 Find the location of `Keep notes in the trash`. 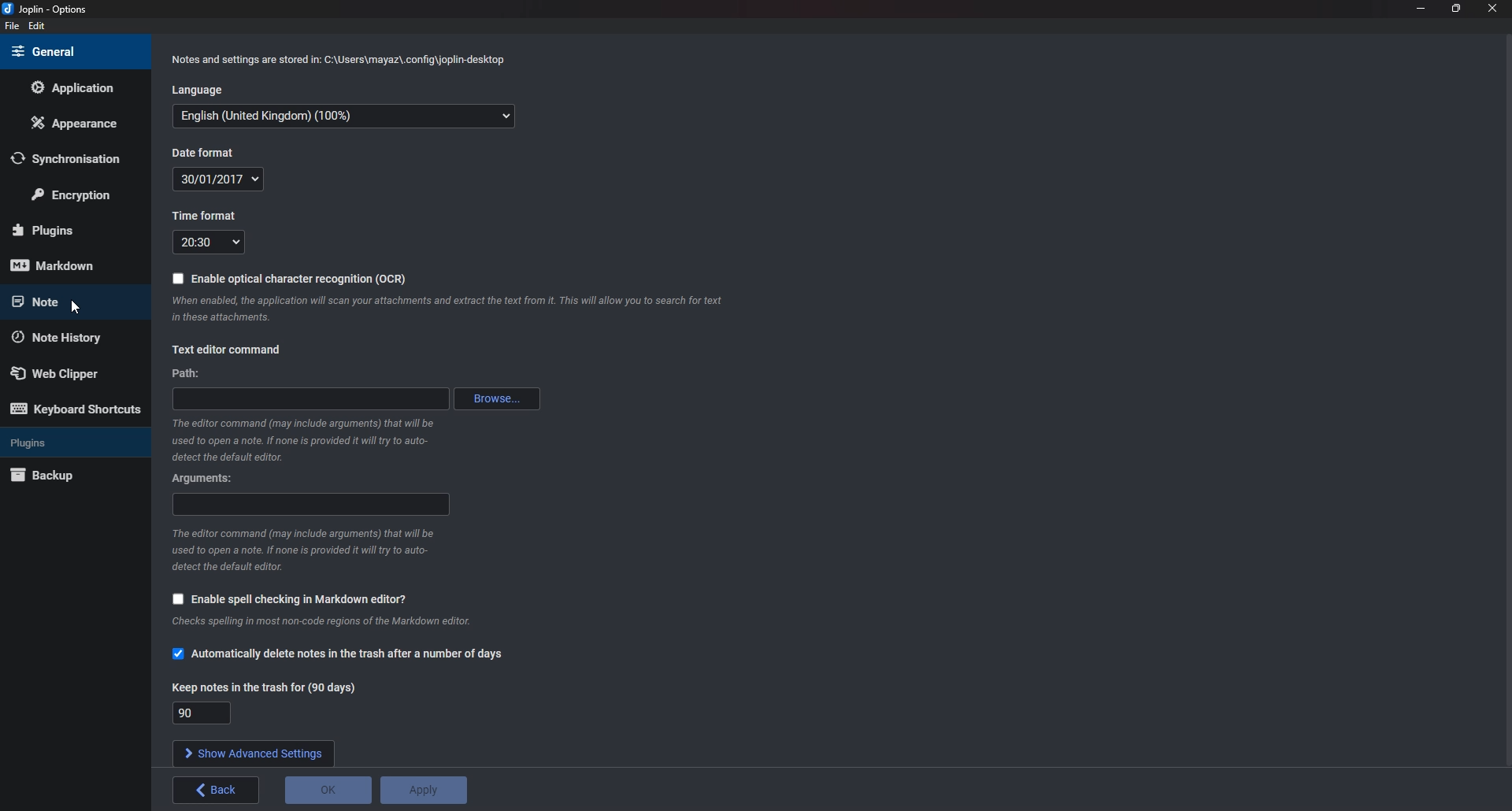

Keep notes in the trash is located at coordinates (206, 714).